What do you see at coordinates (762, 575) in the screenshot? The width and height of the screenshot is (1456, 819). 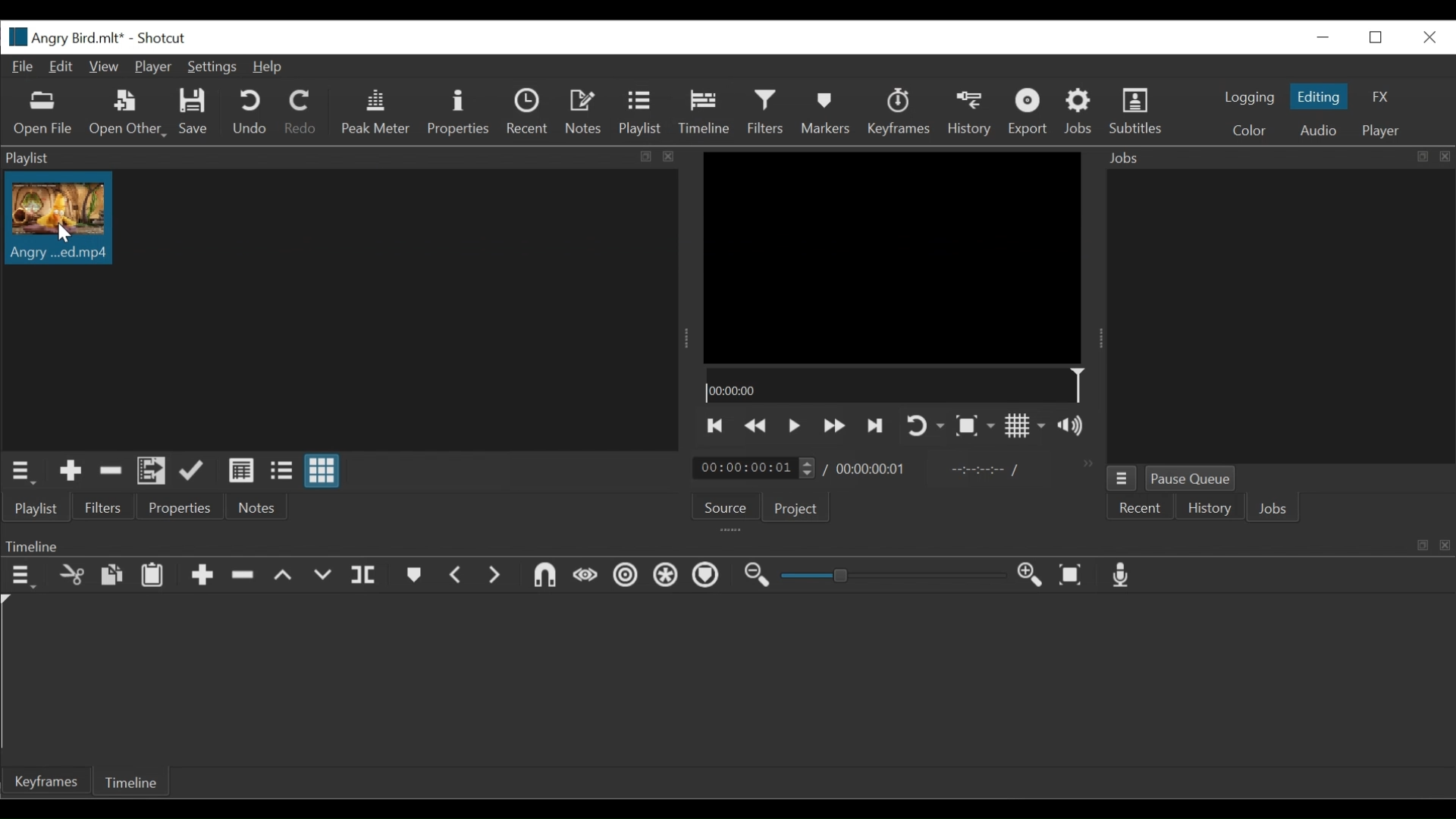 I see `Zoom timeline out ` at bounding box center [762, 575].